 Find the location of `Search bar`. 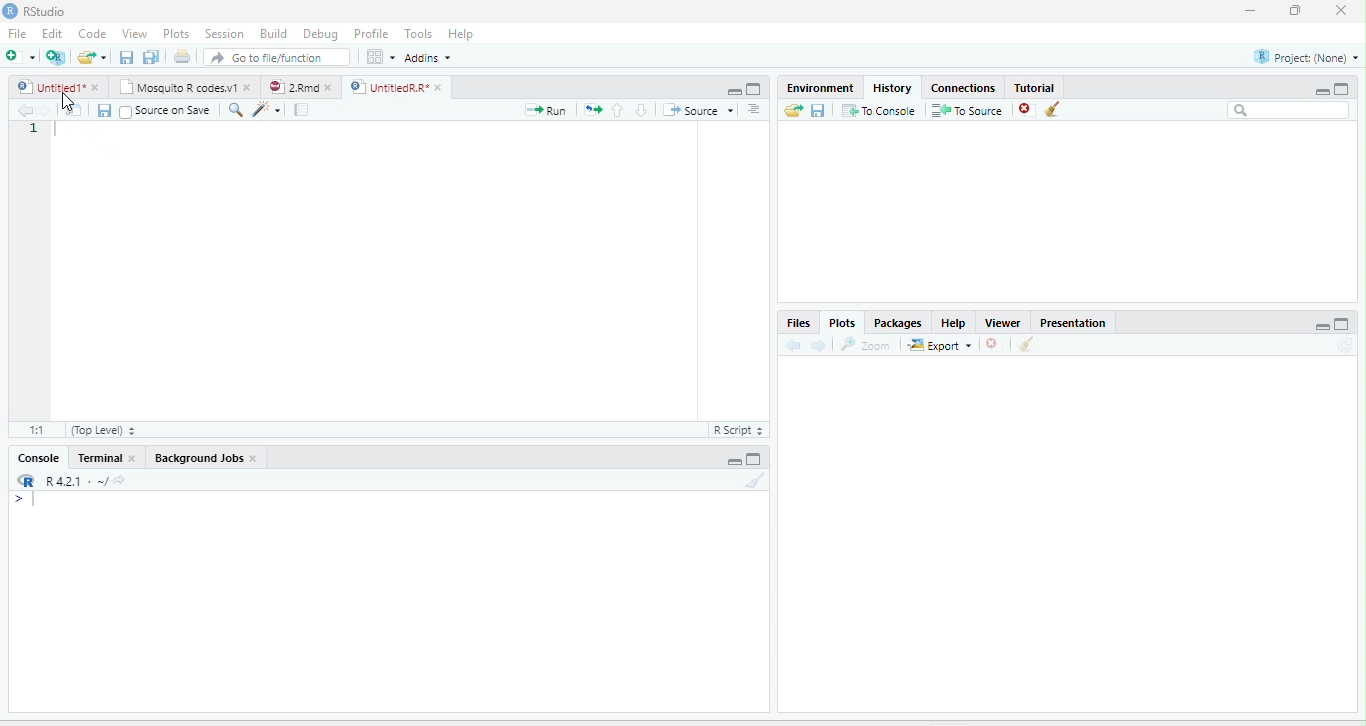

Search bar is located at coordinates (1288, 110).